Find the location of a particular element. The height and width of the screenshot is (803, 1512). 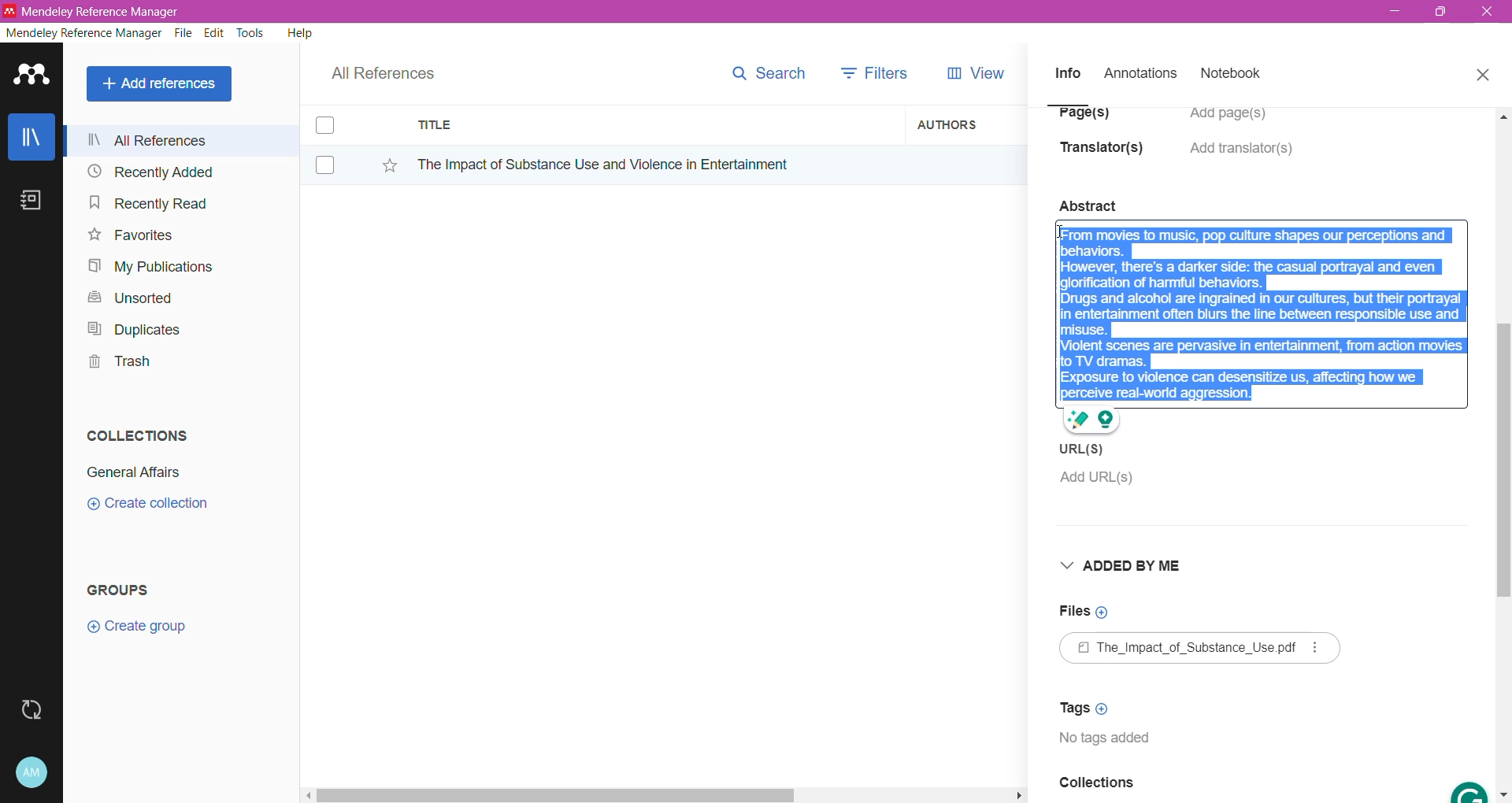

Search is located at coordinates (768, 70).